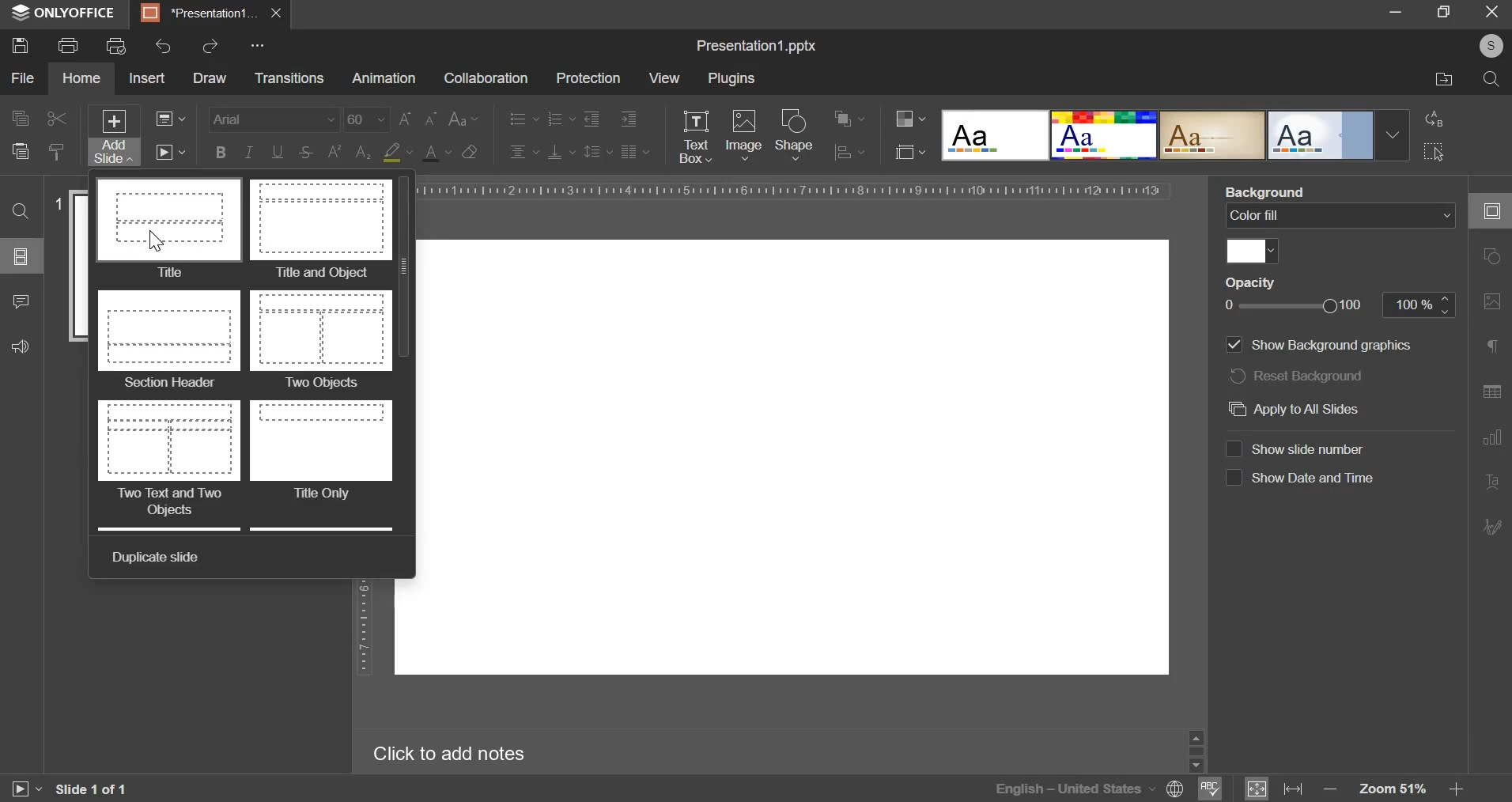  Describe the element at coordinates (221, 150) in the screenshot. I see `bold` at that location.